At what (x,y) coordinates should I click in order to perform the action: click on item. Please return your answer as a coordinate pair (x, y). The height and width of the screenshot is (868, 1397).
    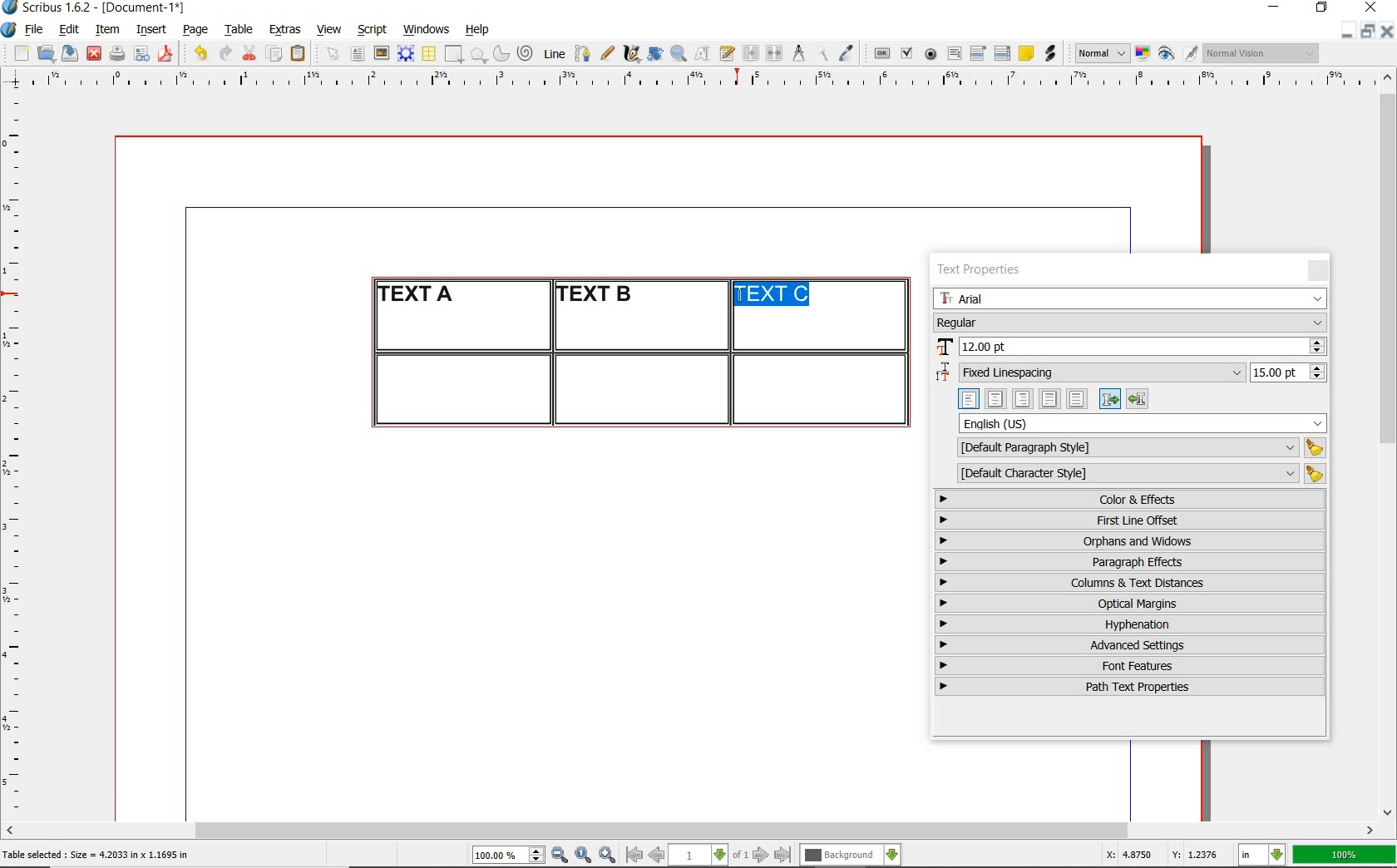
    Looking at the image, I should click on (106, 30).